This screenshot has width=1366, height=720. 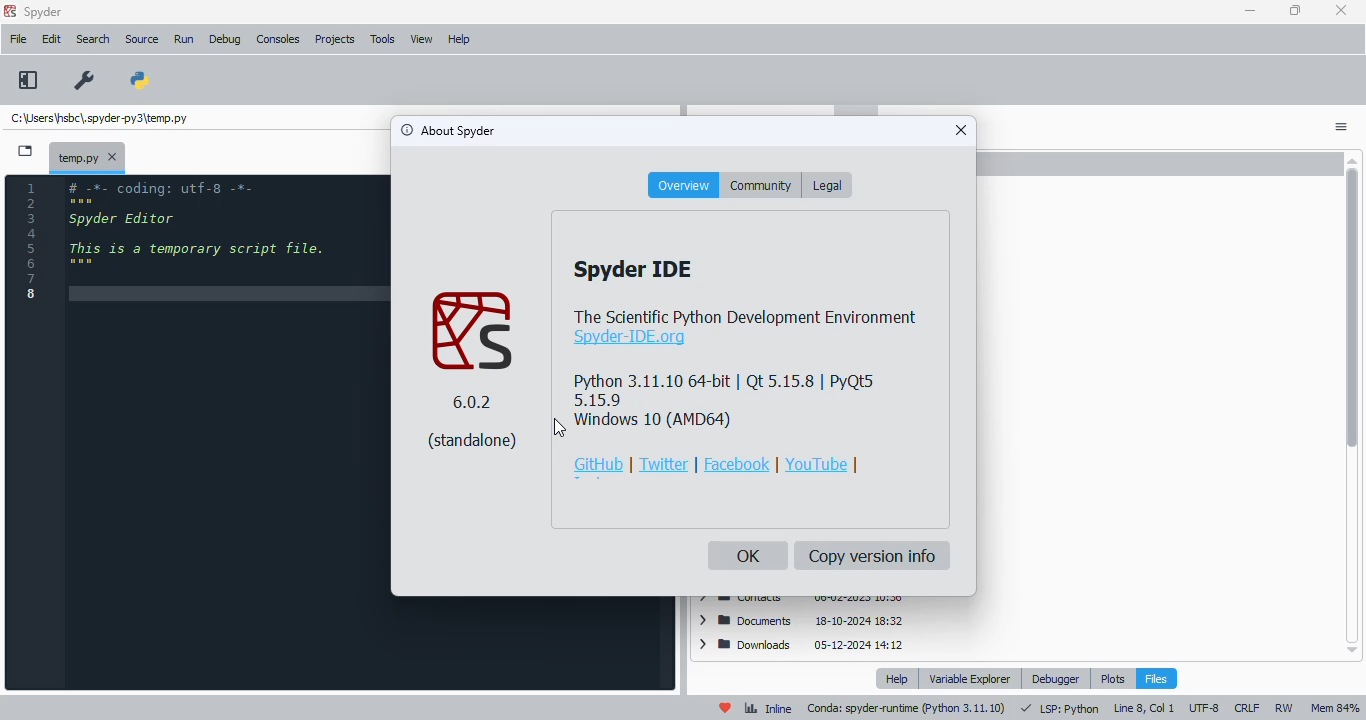 I want to click on maximize, so click(x=1296, y=11).